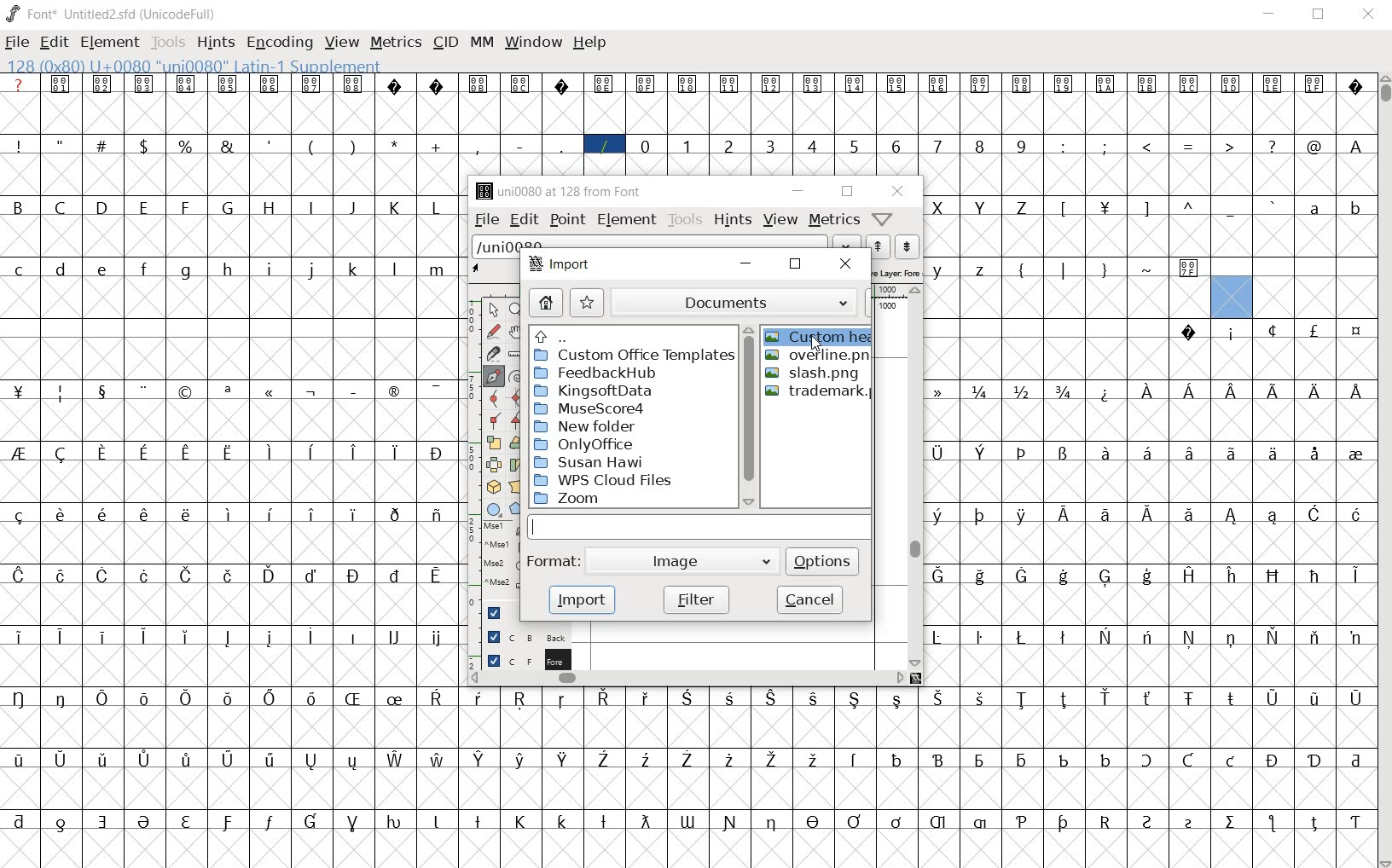 This screenshot has height=868, width=1392. What do you see at coordinates (186, 454) in the screenshot?
I see `glyph` at bounding box center [186, 454].